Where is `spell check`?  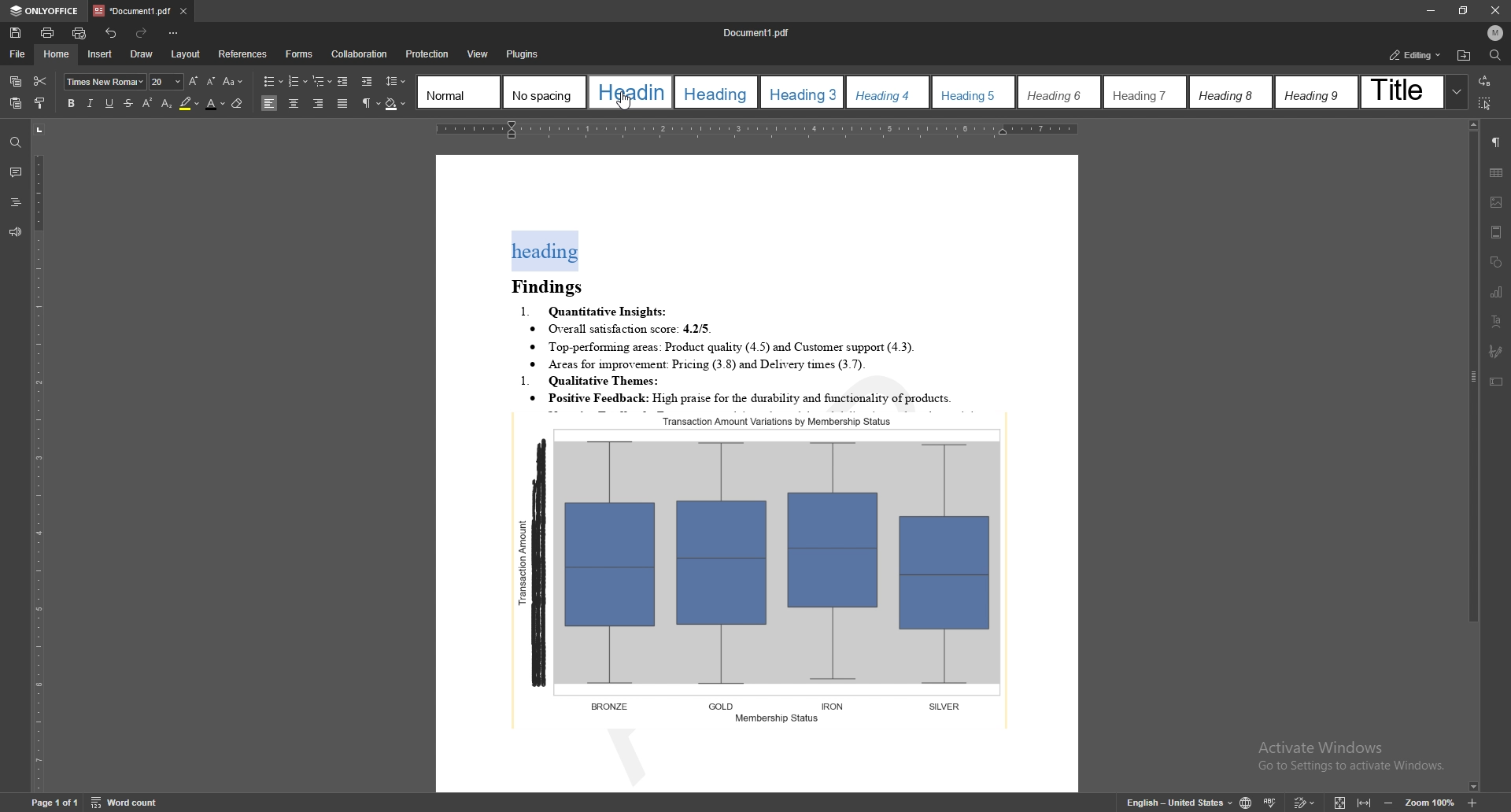 spell check is located at coordinates (1269, 803).